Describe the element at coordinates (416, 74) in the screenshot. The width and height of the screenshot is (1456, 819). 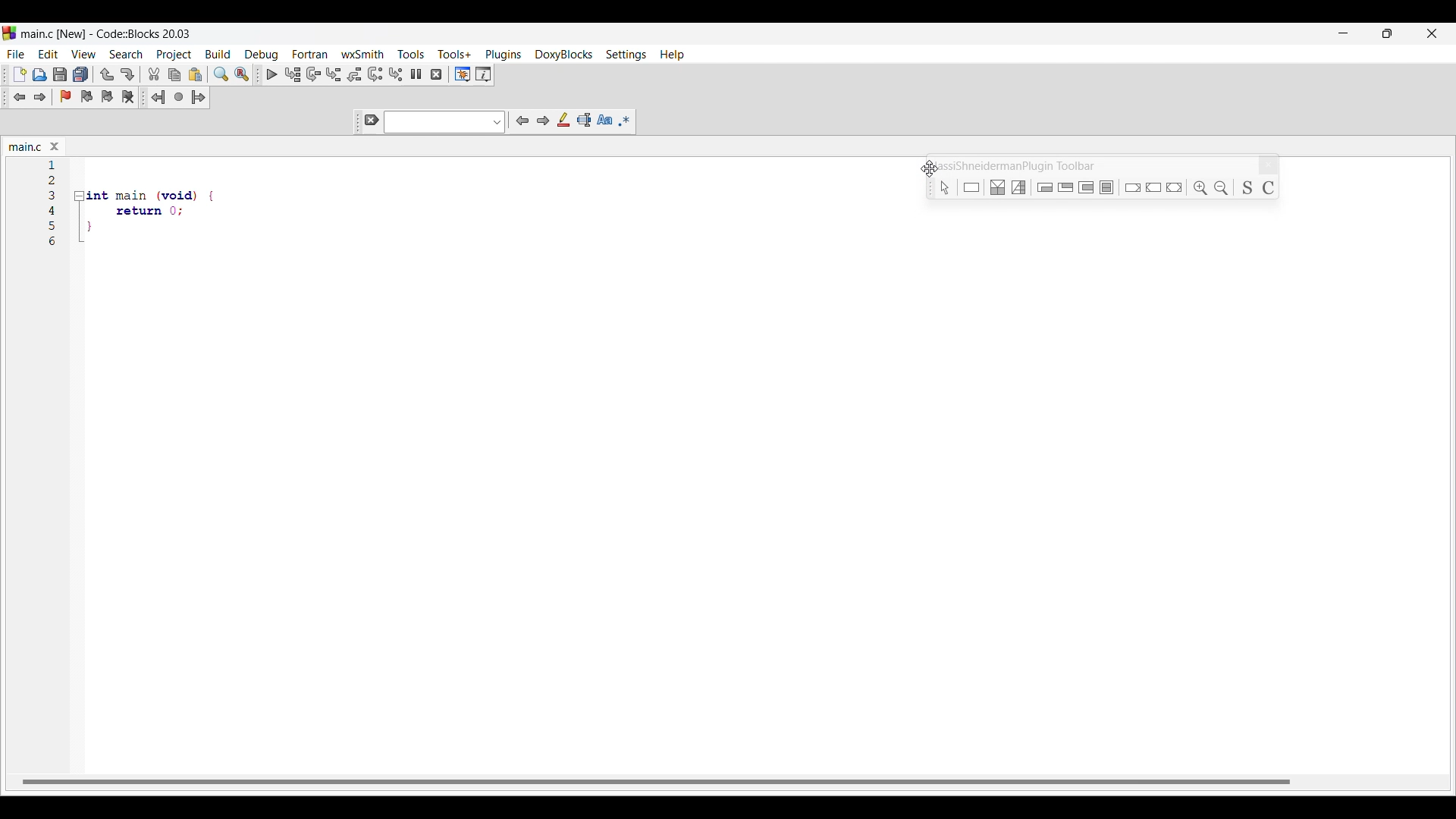
I see `Break debugger` at that location.